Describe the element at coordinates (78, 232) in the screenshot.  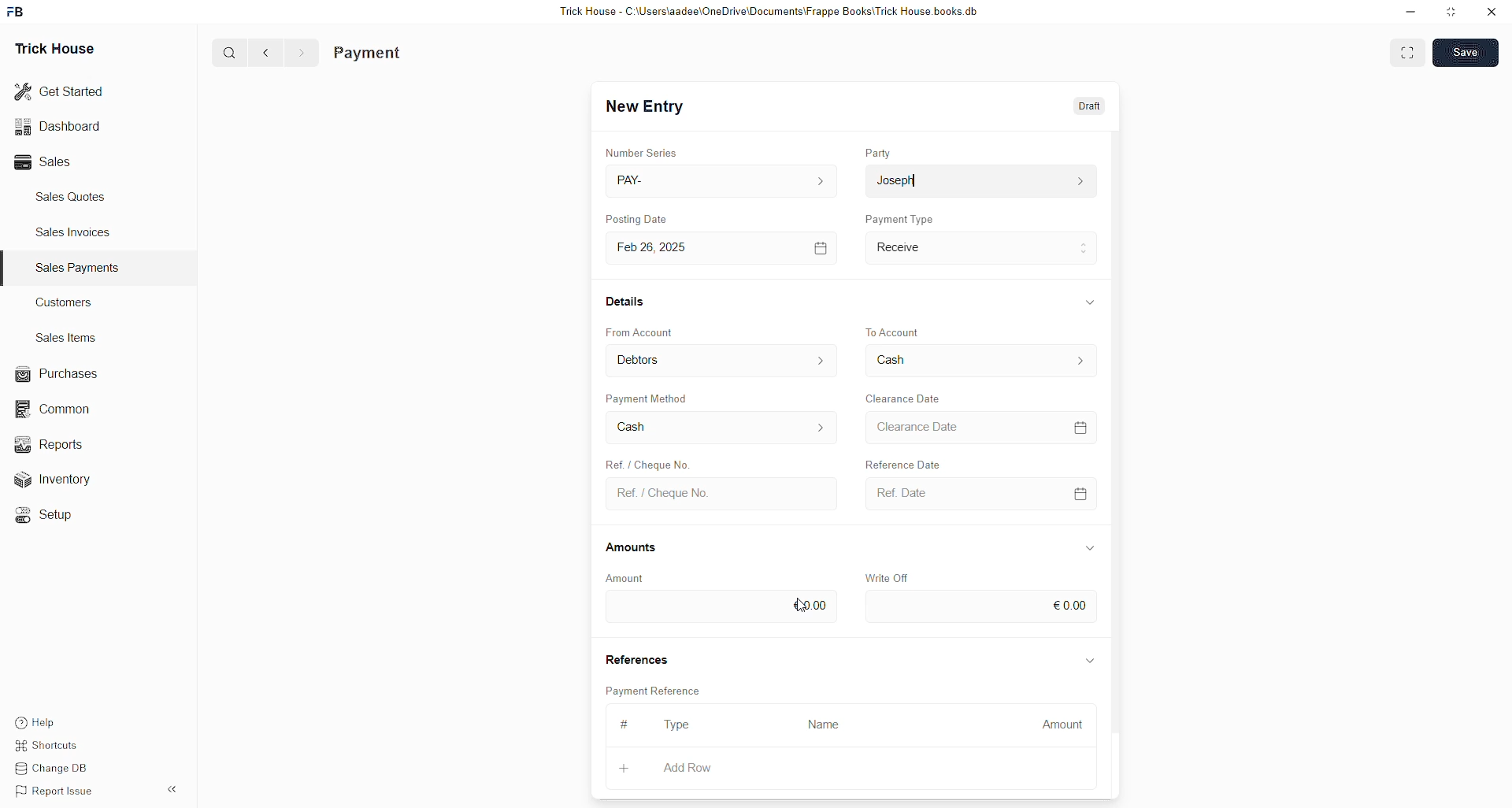
I see `Sales Invoices` at that location.